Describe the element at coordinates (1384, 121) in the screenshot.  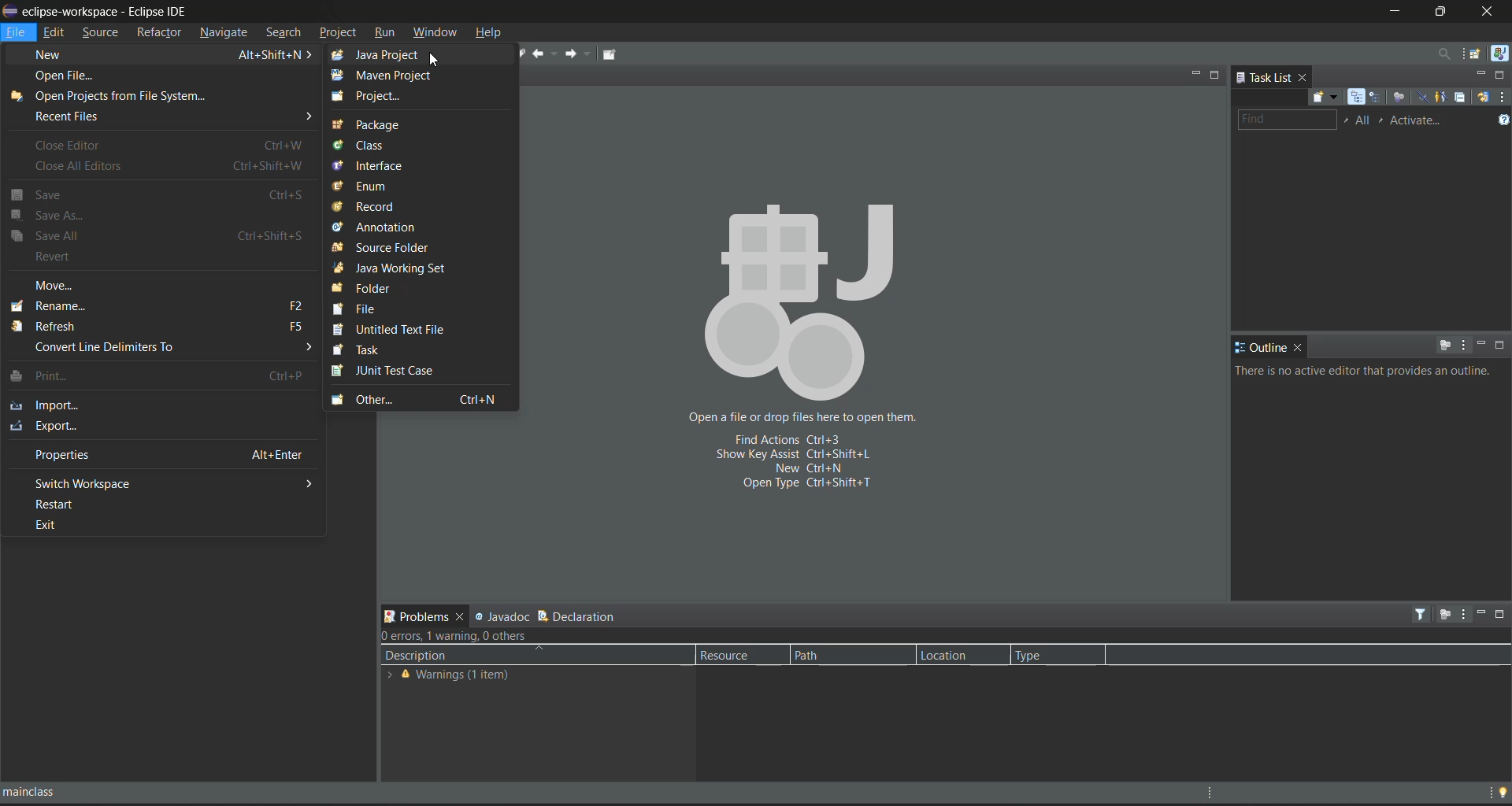
I see `select active task` at that location.